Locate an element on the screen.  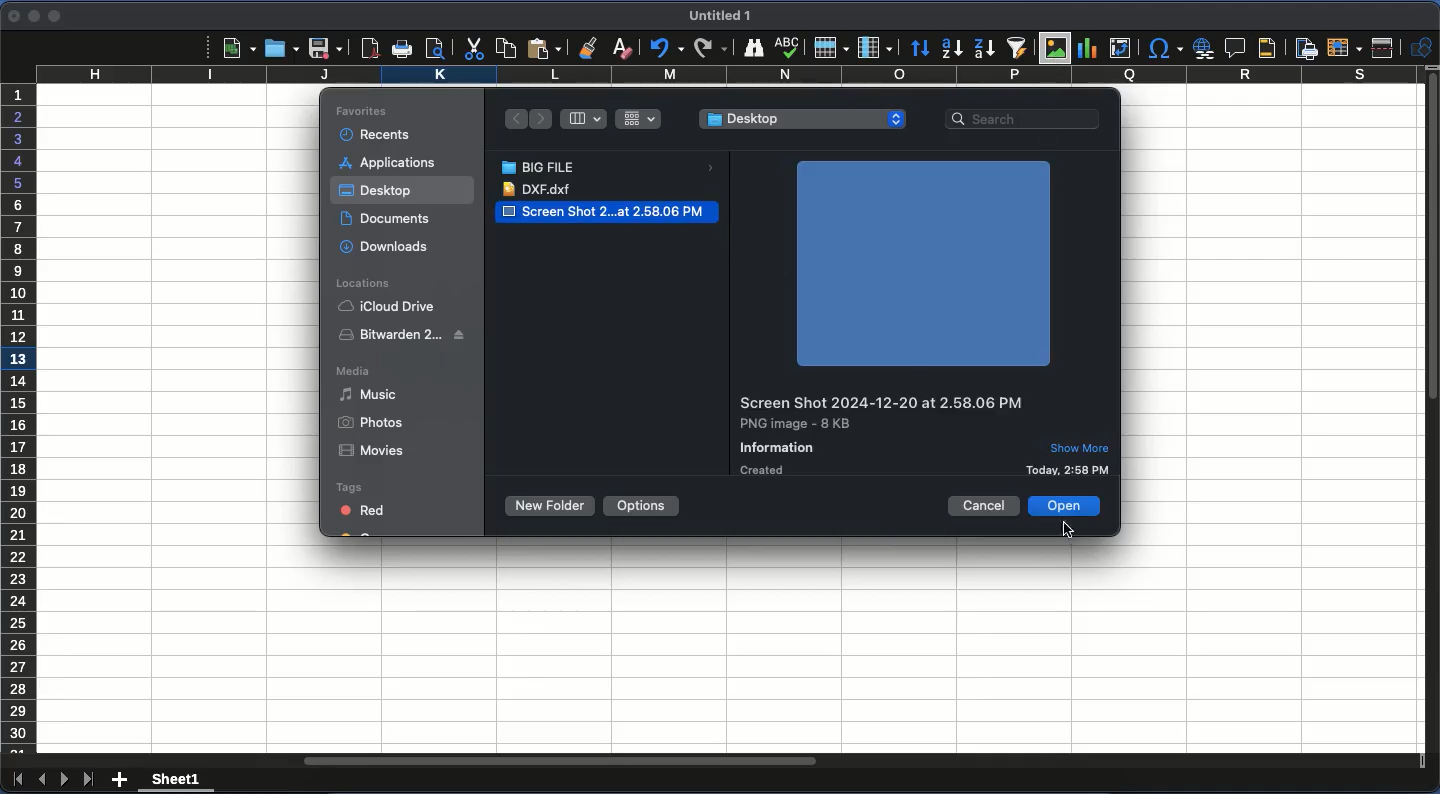
tags is located at coordinates (349, 488).